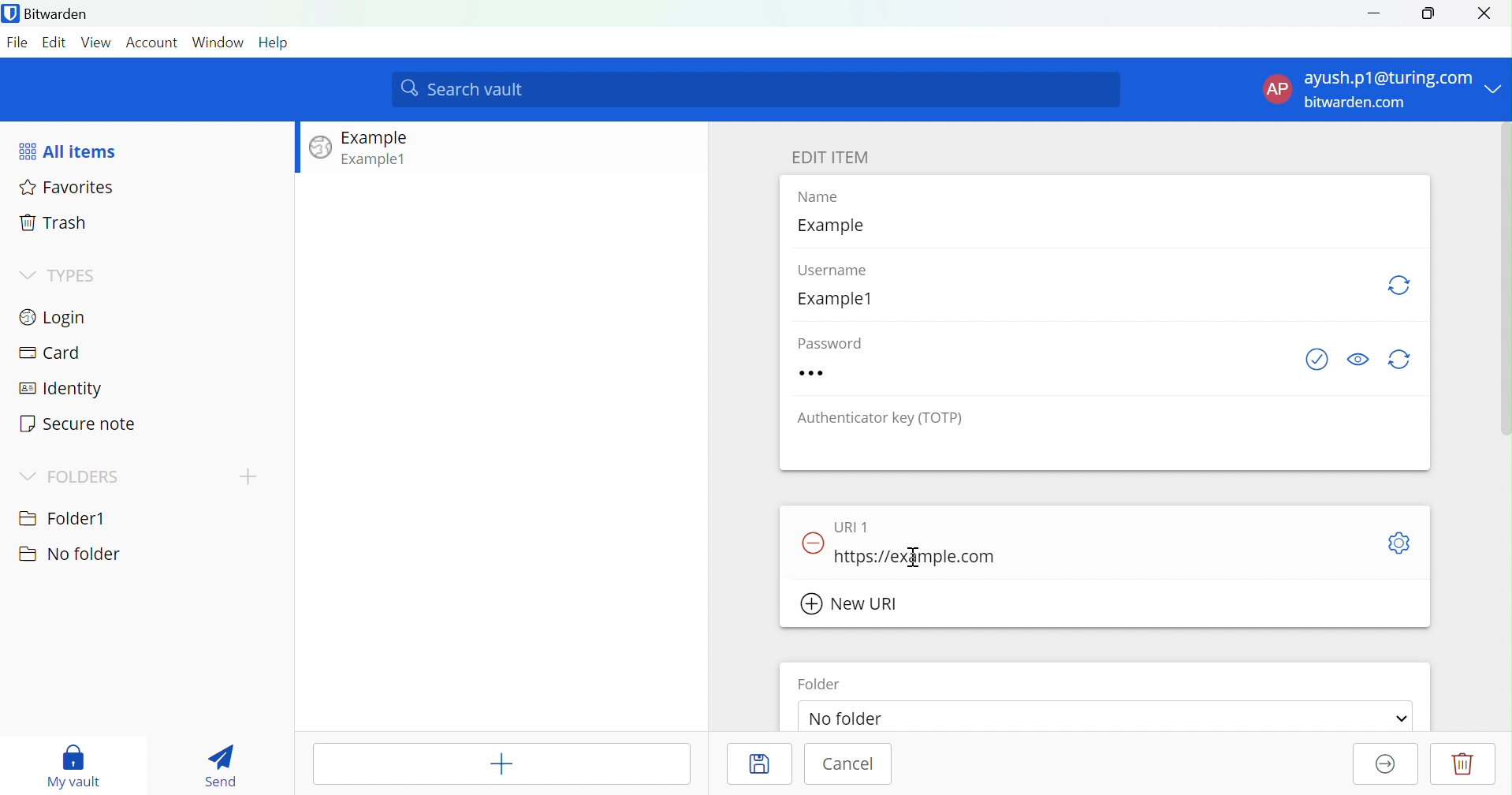 Image resolution: width=1512 pixels, height=795 pixels. What do you see at coordinates (845, 372) in the screenshot?
I see `Password` at bounding box center [845, 372].